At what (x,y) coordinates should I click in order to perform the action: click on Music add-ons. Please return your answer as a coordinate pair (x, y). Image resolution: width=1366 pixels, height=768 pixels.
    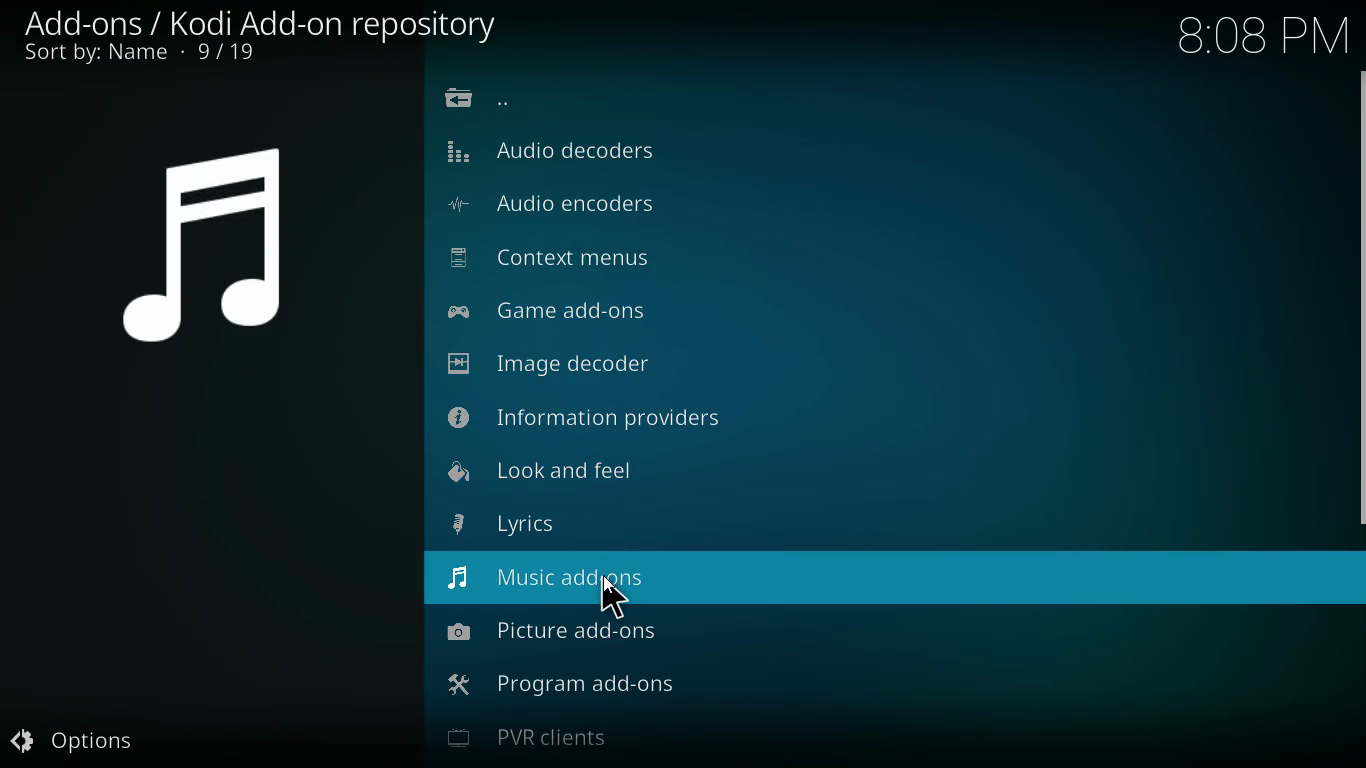
    Looking at the image, I should click on (569, 577).